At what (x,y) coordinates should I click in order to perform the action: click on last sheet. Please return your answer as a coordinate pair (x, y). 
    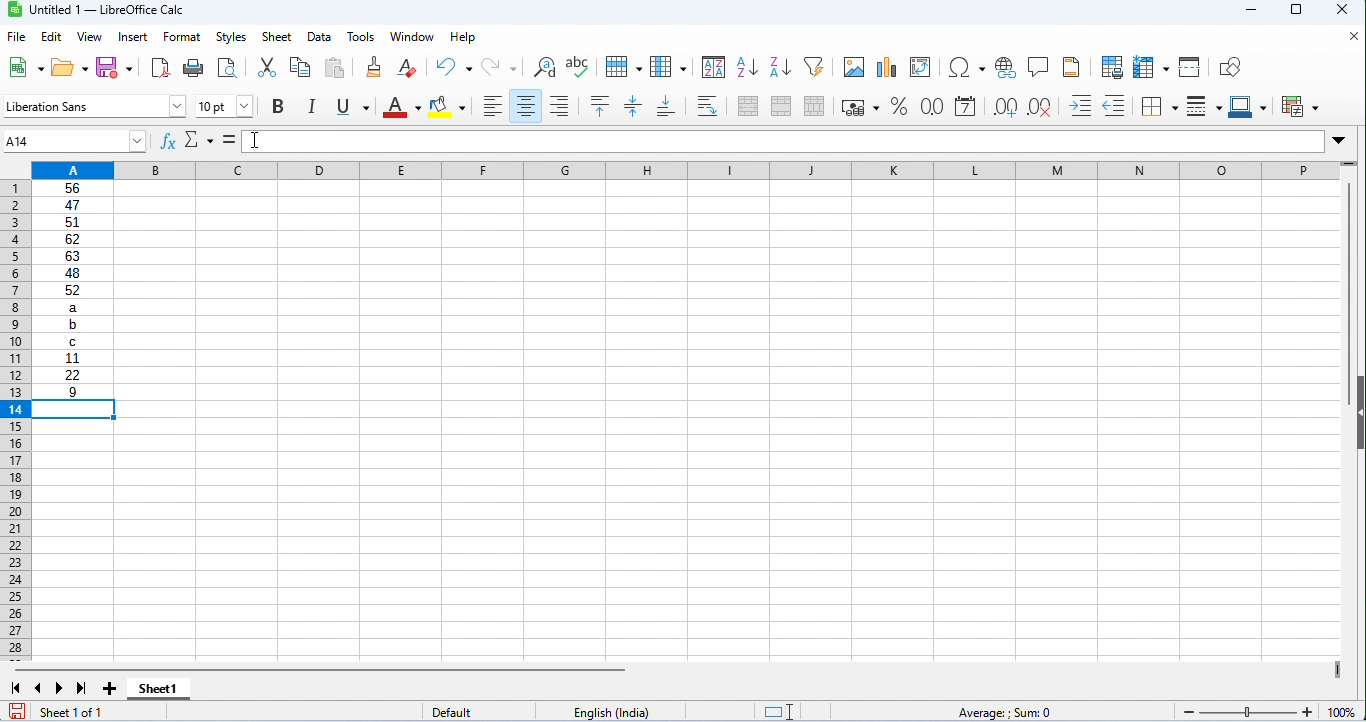
    Looking at the image, I should click on (82, 688).